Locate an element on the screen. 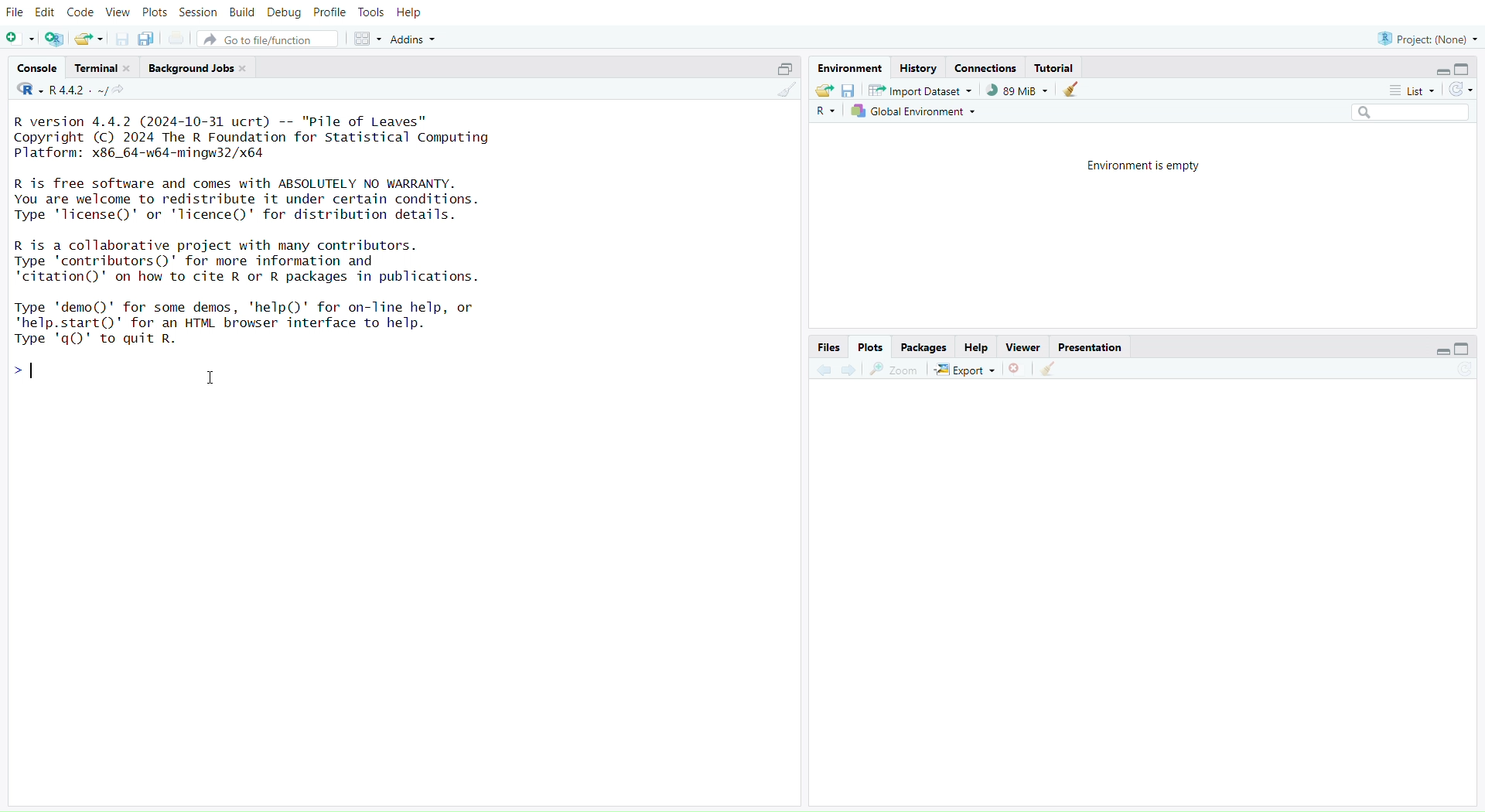 The image size is (1485, 812). Search filter is located at coordinates (1412, 113).